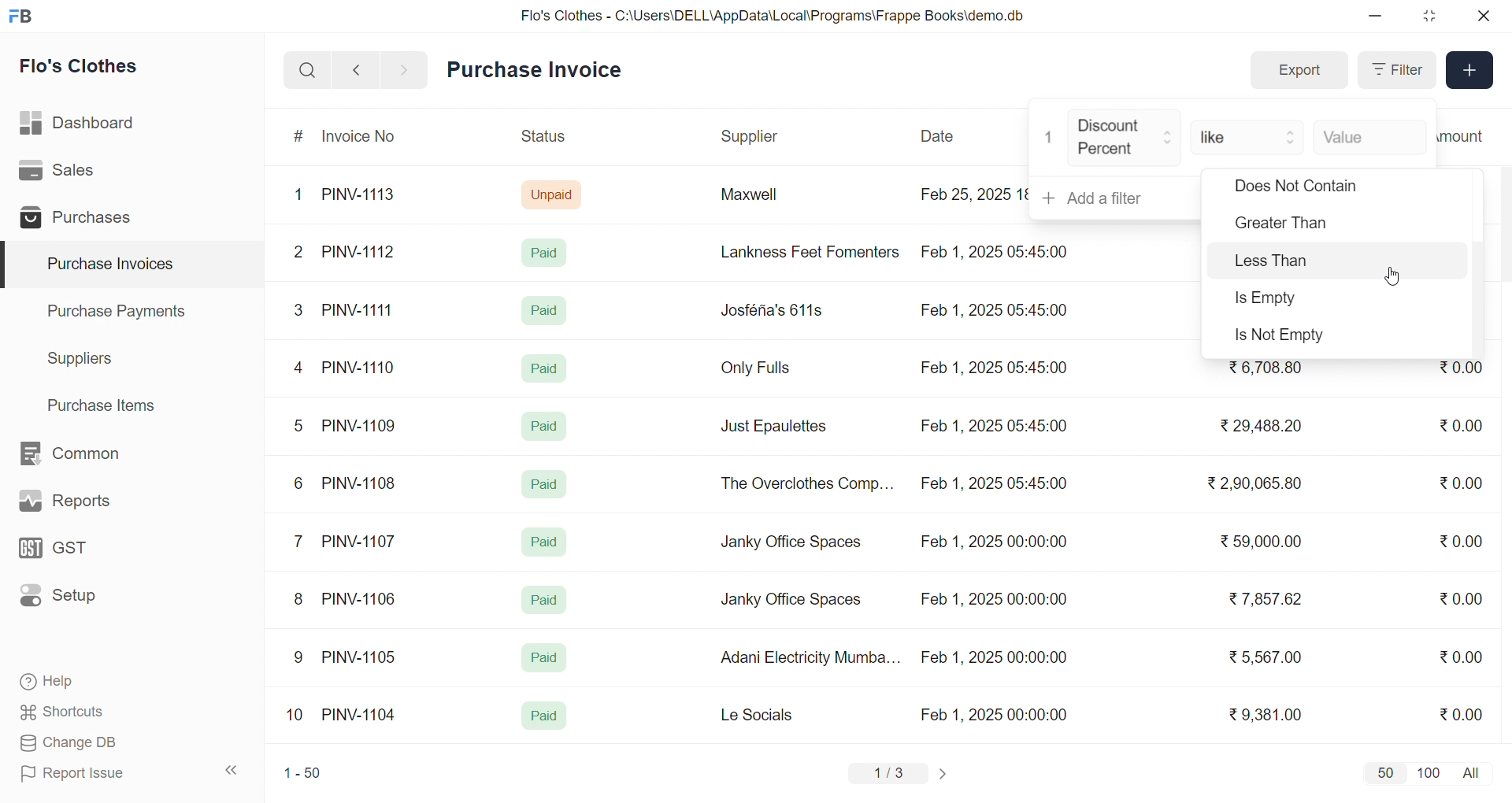 This screenshot has width=1512, height=803. Describe the element at coordinates (1461, 598) in the screenshot. I see `₹0.00` at that location.